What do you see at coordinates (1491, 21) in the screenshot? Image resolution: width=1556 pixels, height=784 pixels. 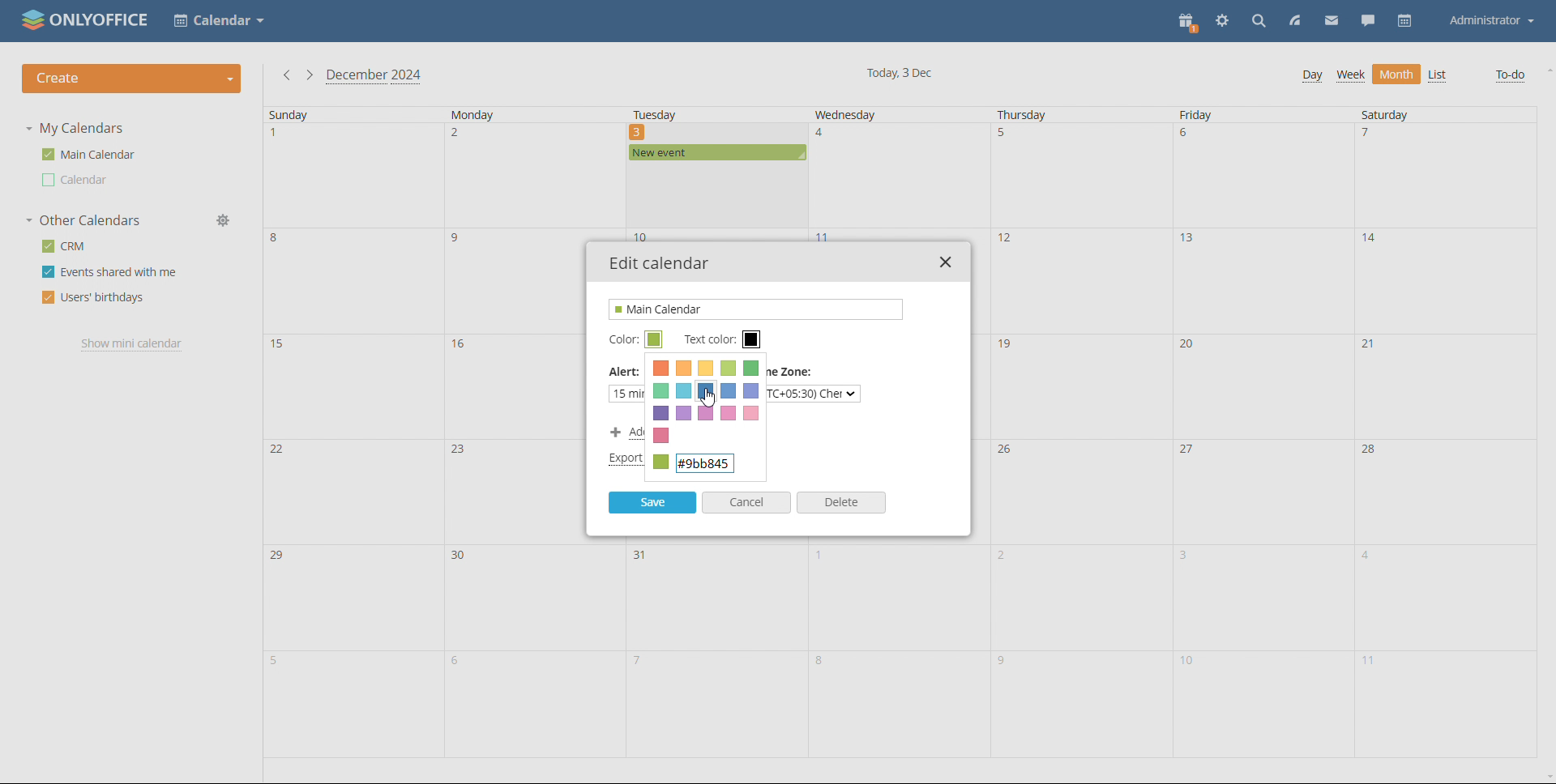 I see `account` at bounding box center [1491, 21].